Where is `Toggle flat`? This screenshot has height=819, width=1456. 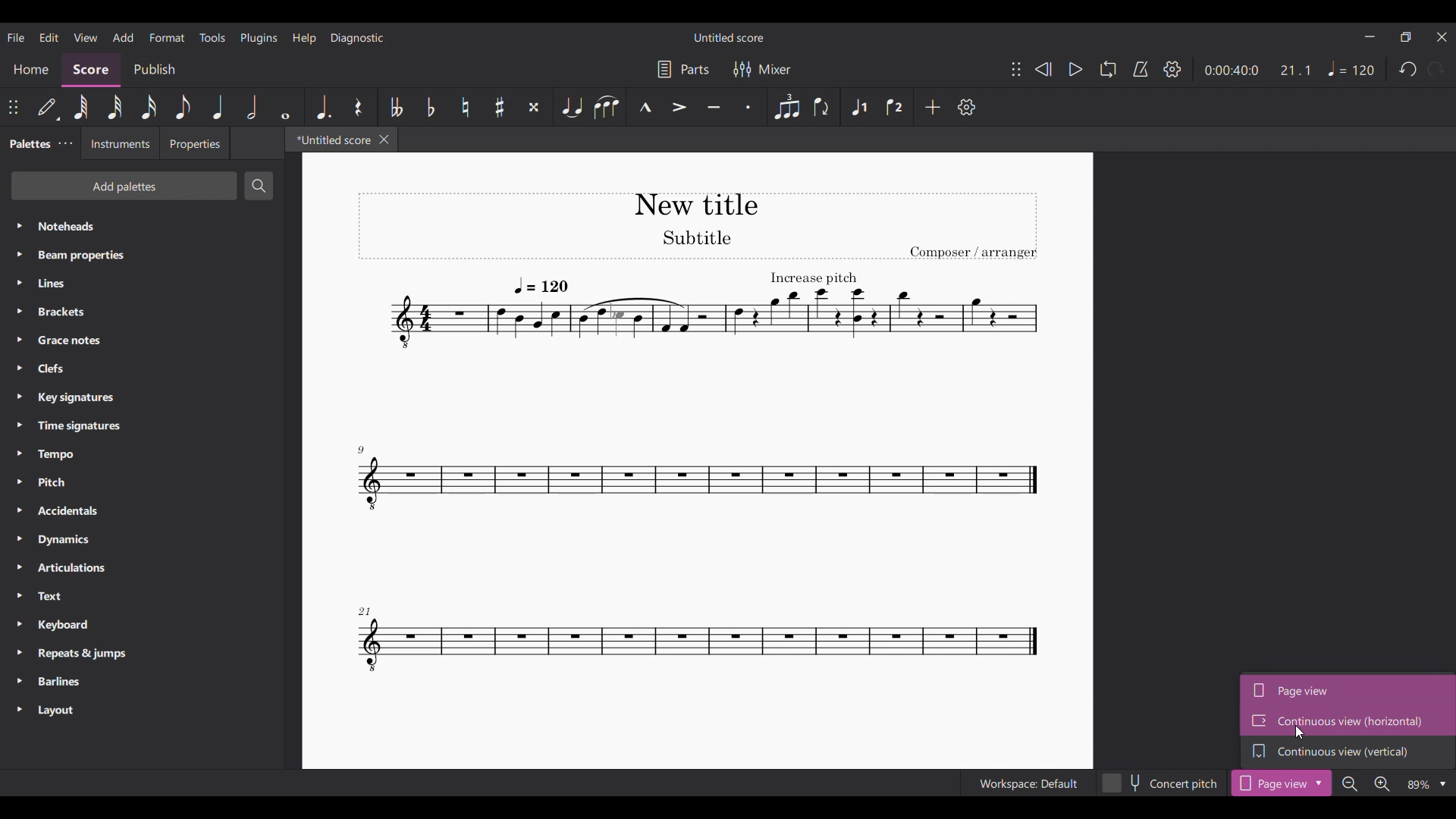
Toggle flat is located at coordinates (431, 107).